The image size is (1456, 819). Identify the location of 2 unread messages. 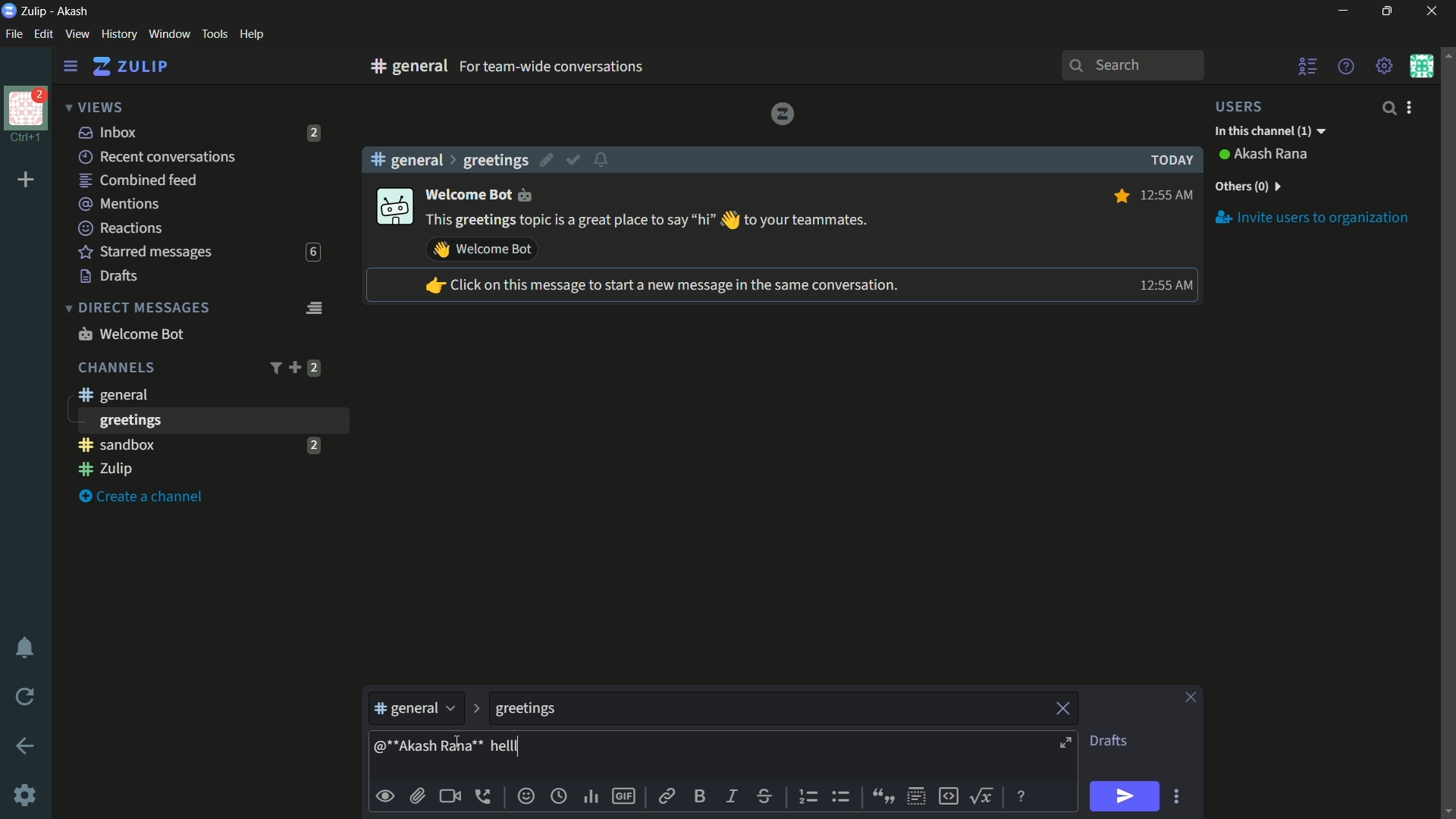
(315, 133).